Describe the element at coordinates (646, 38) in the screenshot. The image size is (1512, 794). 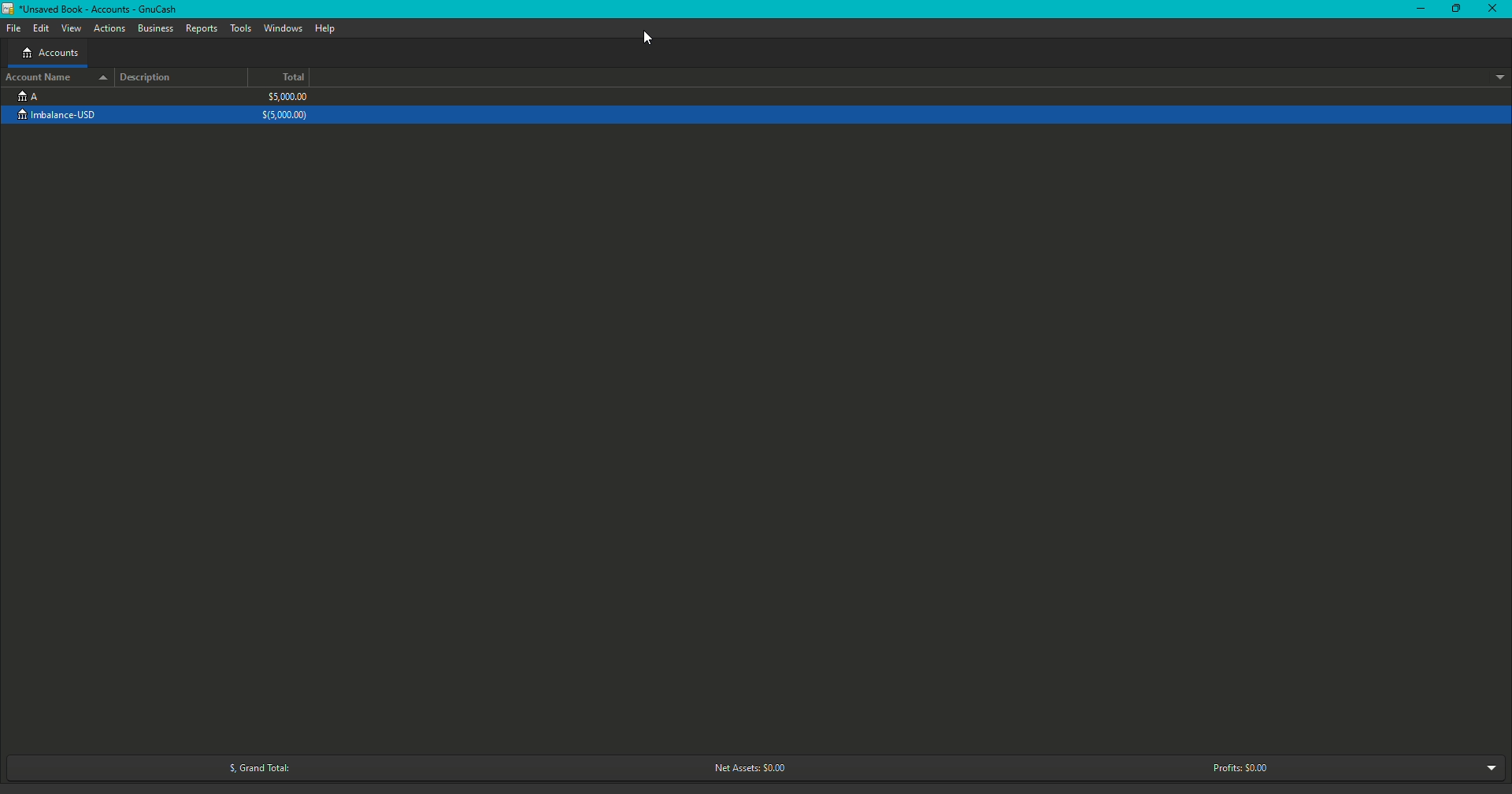
I see `Cursor` at that location.